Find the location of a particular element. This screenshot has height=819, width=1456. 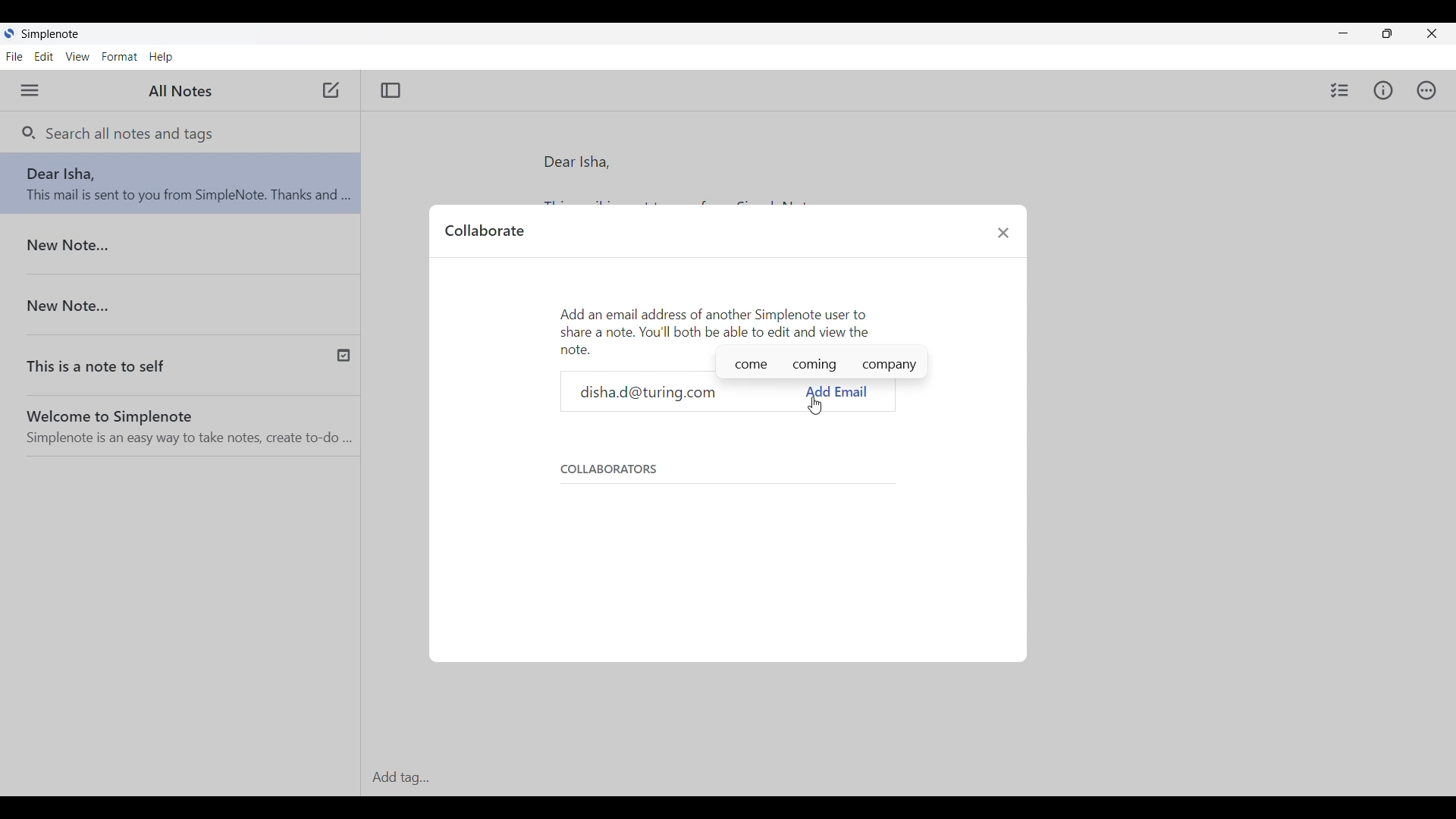

Suggestions for typed in email ID is located at coordinates (822, 367).